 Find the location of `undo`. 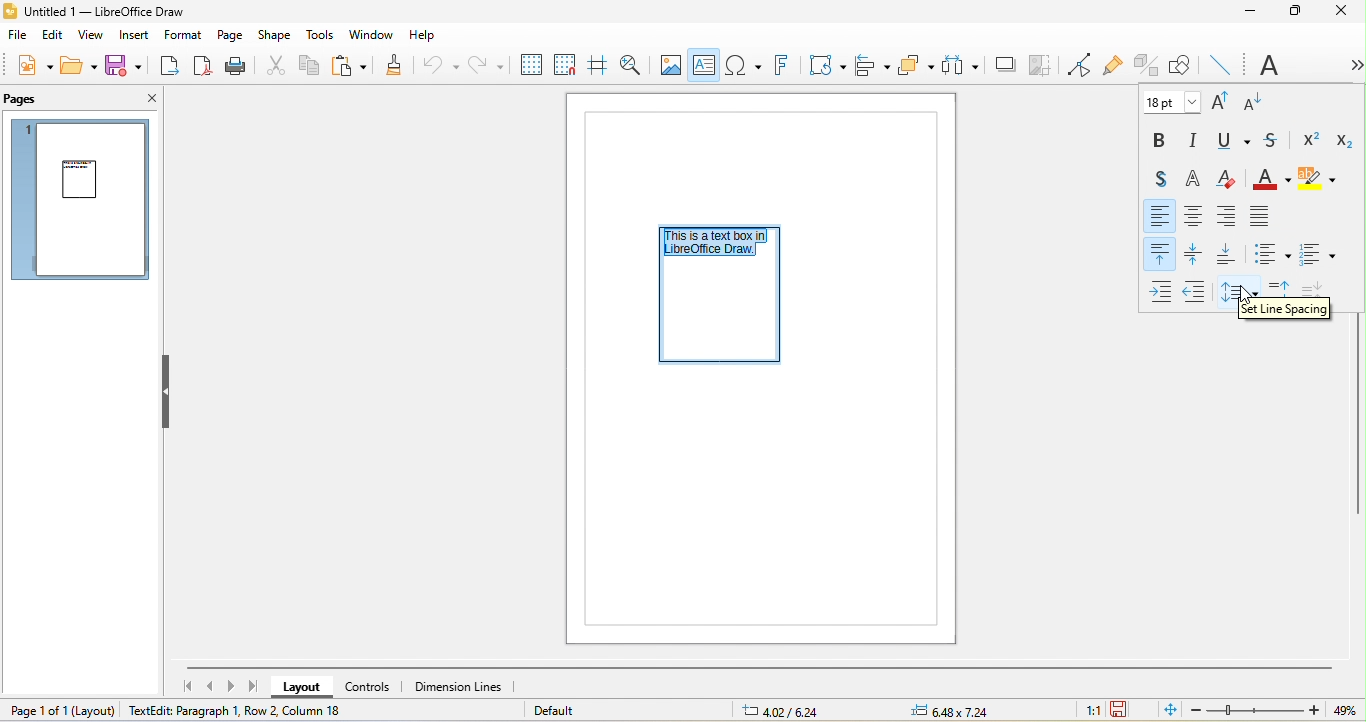

undo is located at coordinates (444, 65).